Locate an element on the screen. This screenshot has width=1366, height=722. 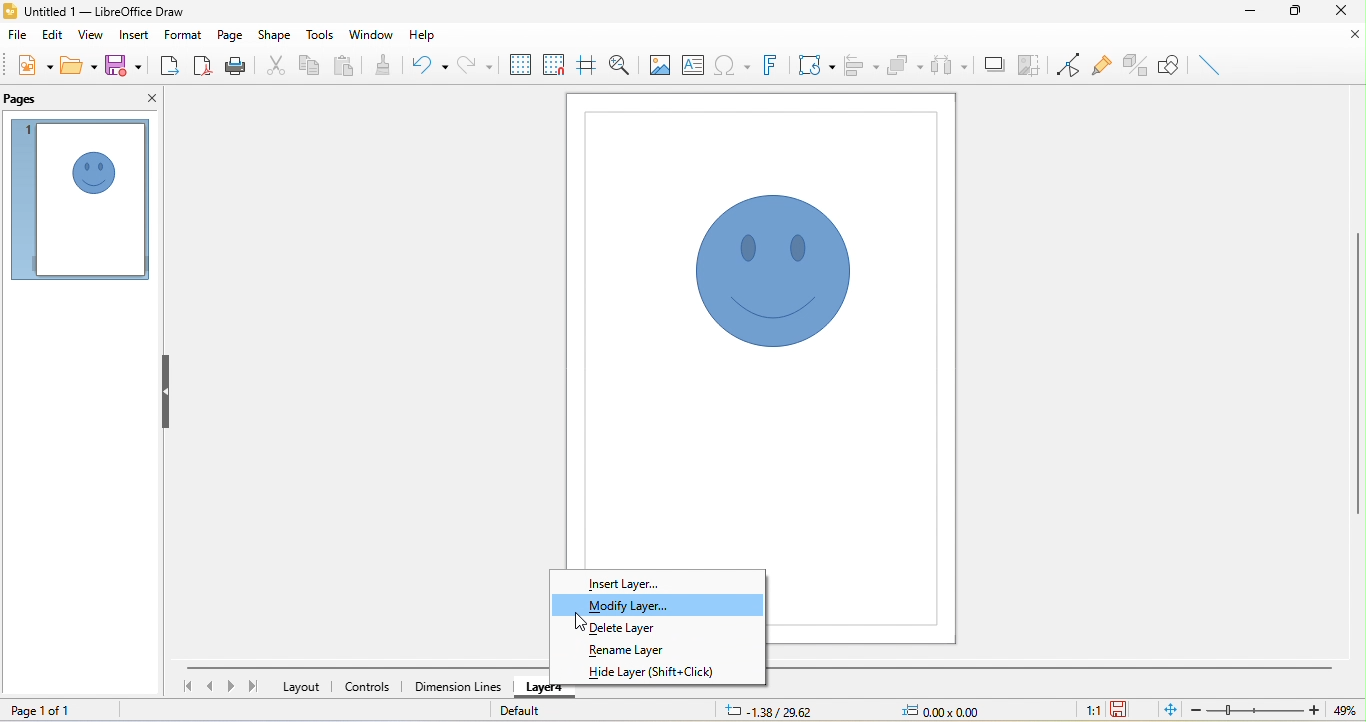
hide is located at coordinates (168, 393).